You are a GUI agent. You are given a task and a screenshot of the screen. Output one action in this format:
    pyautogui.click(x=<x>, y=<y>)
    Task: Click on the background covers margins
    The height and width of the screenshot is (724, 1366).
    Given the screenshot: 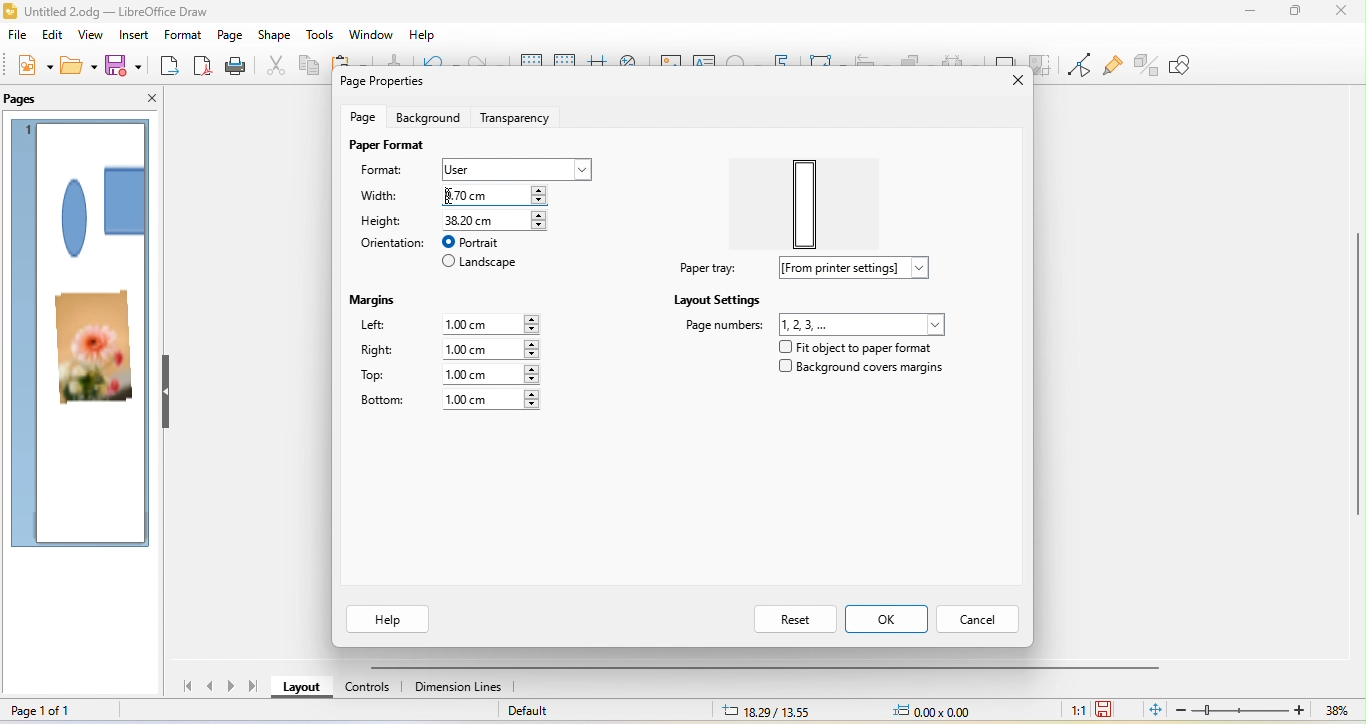 What is the action you would take?
    pyautogui.click(x=868, y=371)
    